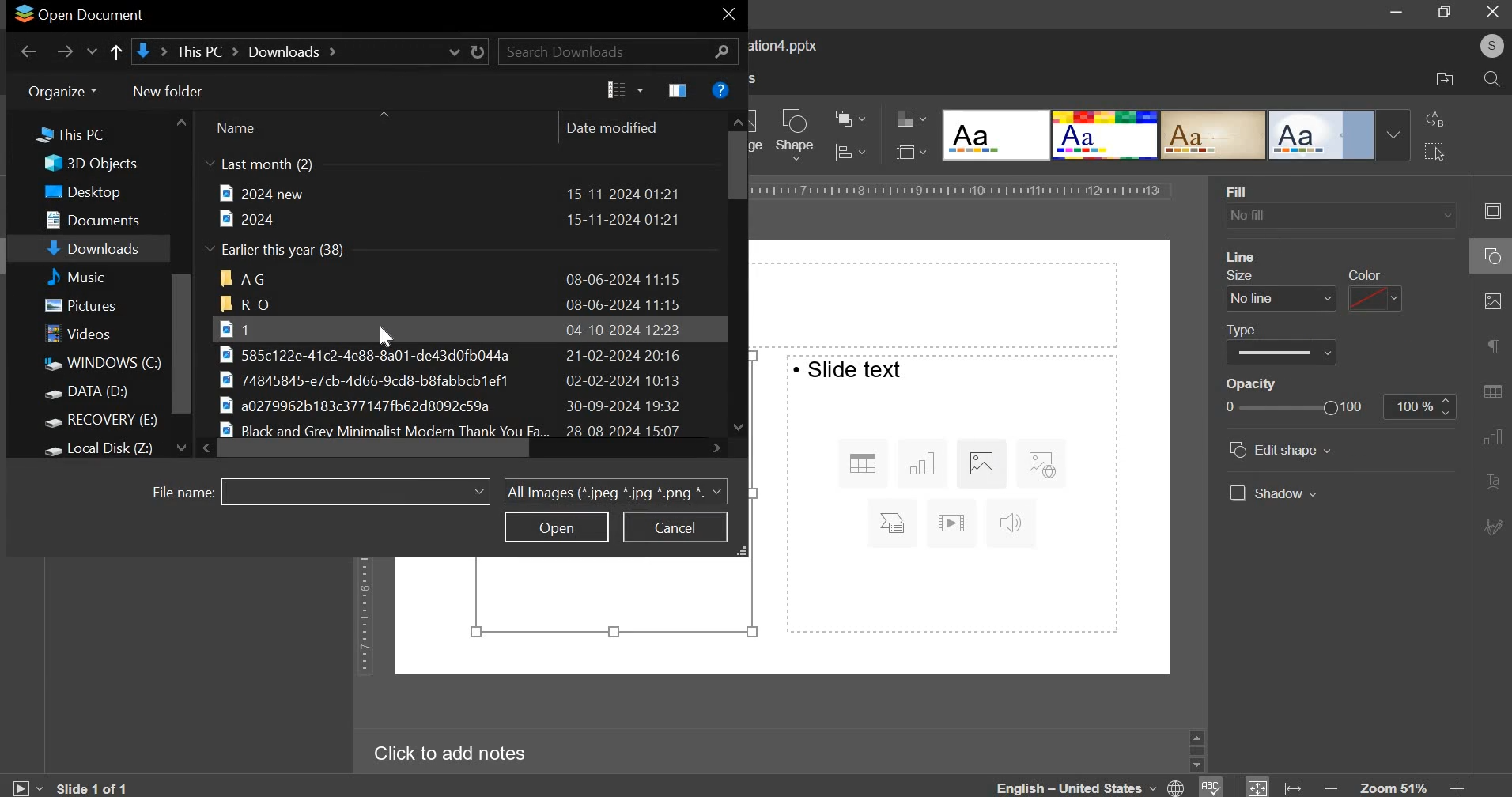 The image size is (1512, 797). I want to click on design, so click(1323, 136).